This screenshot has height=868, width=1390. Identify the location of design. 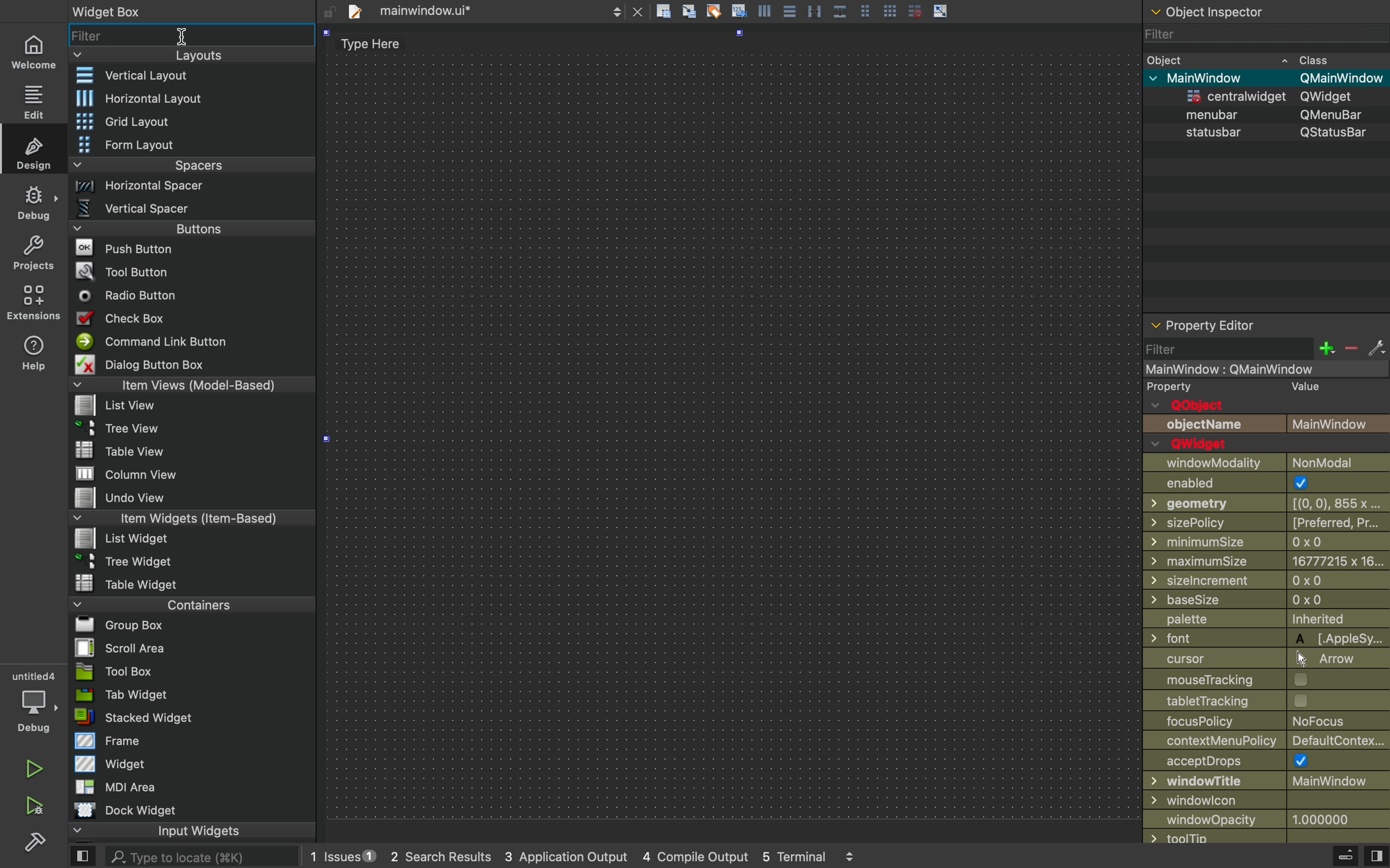
(33, 149).